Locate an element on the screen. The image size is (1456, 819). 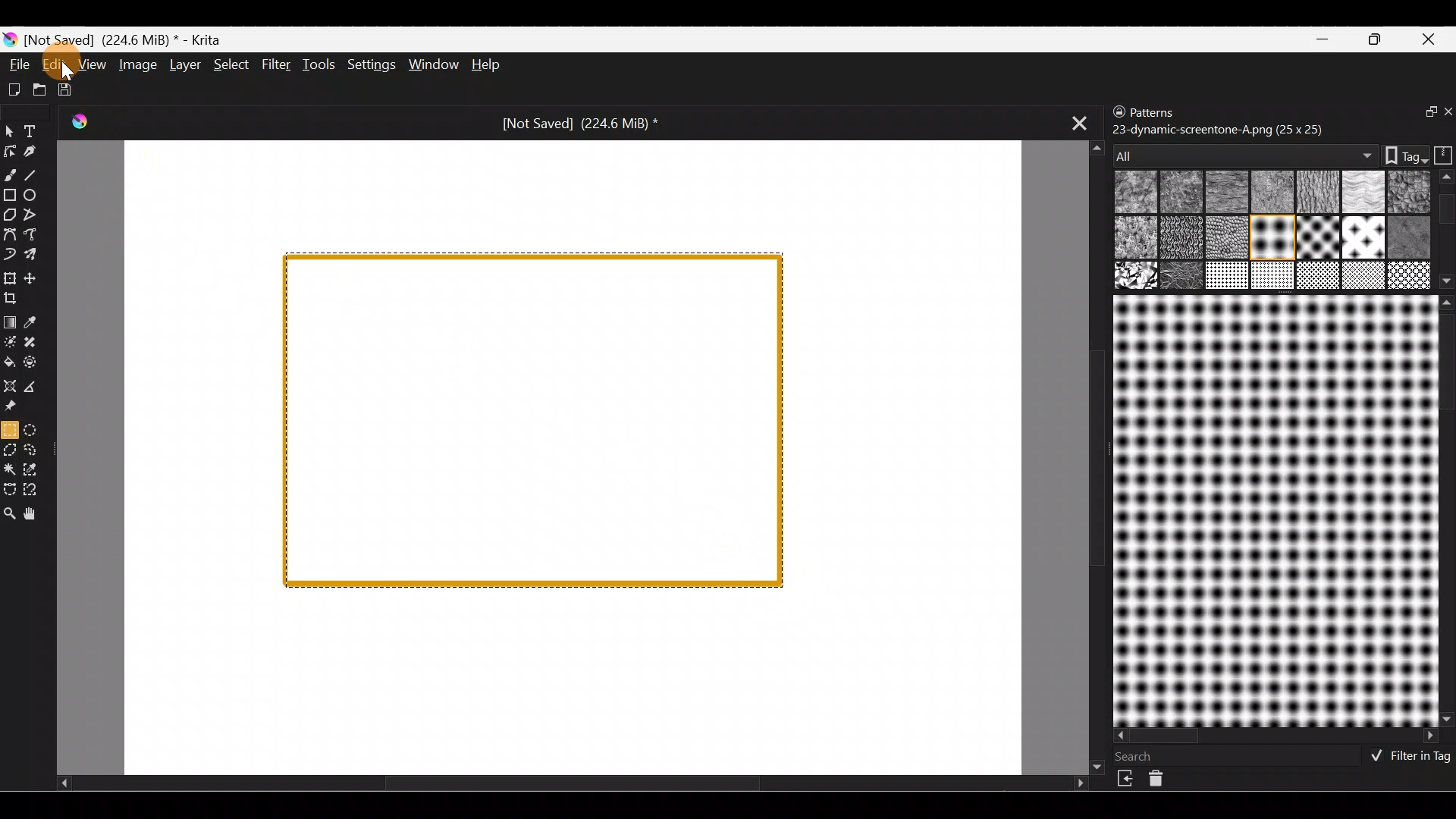
Multibrush tool is located at coordinates (36, 256).